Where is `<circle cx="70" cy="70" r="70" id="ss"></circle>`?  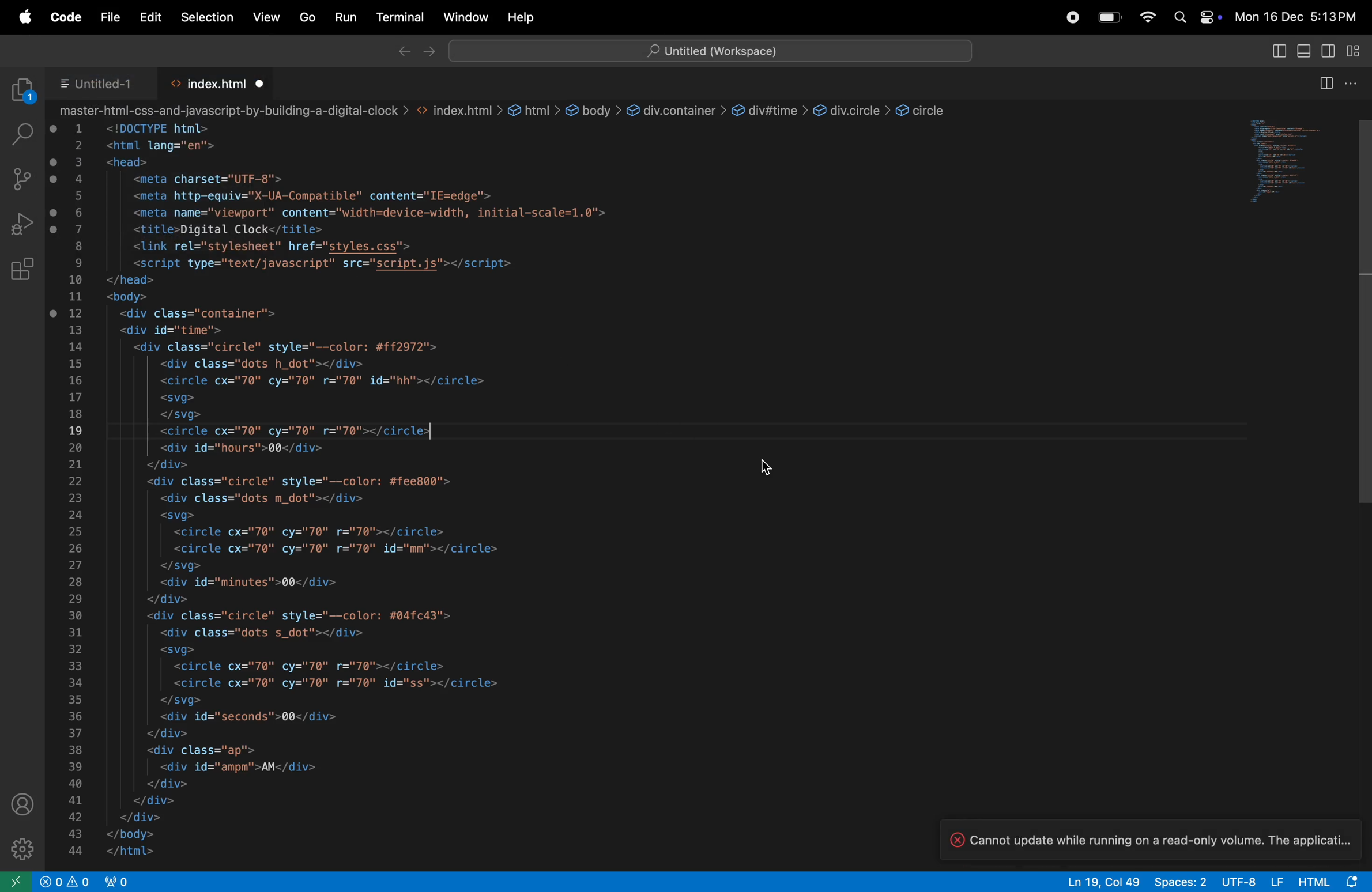
<circle cx="70" cy="70" r="70" id="ss"></circle> is located at coordinates (341, 682).